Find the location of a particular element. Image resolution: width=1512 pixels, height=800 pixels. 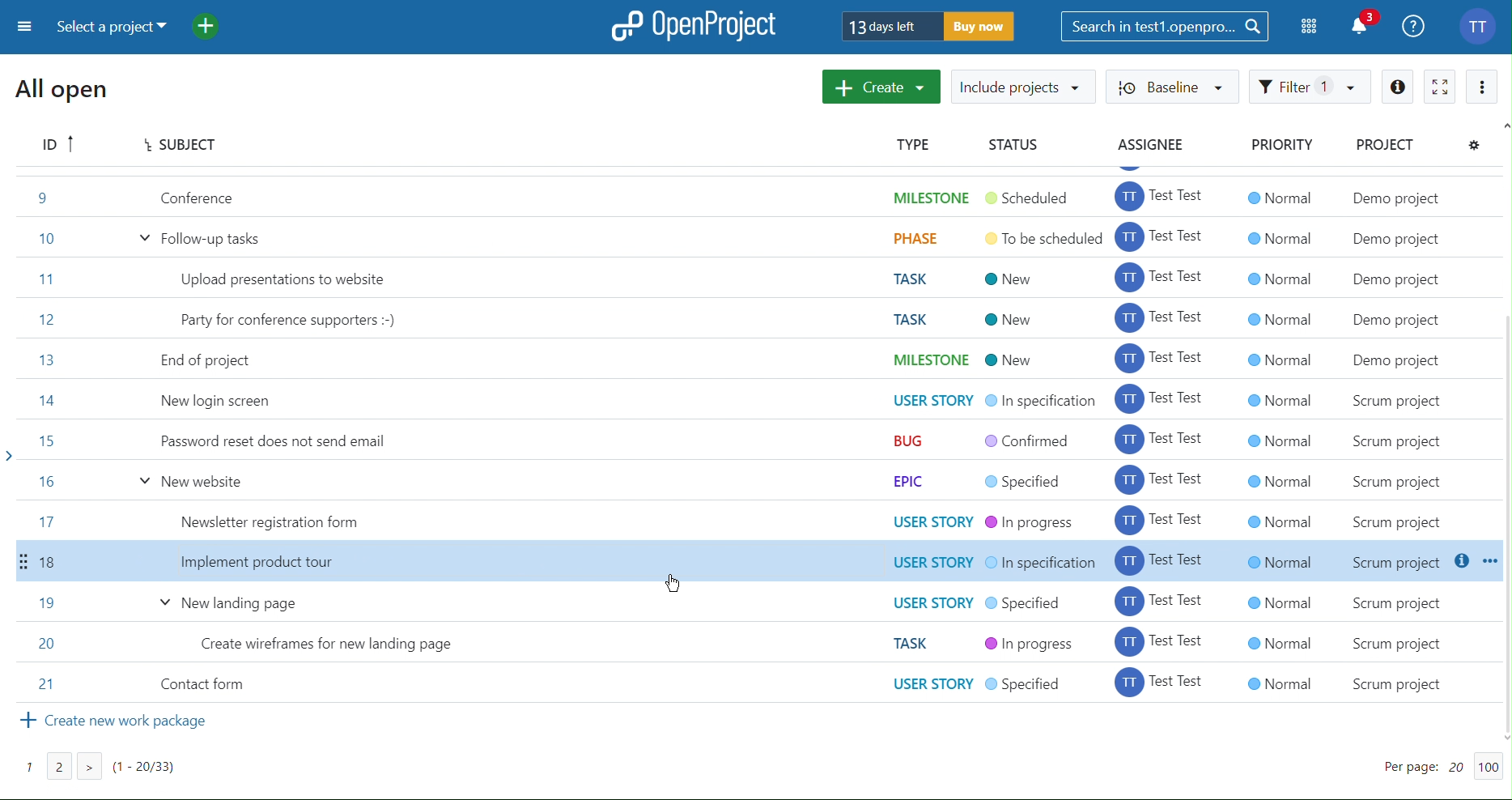

Baseline is located at coordinates (1174, 86).